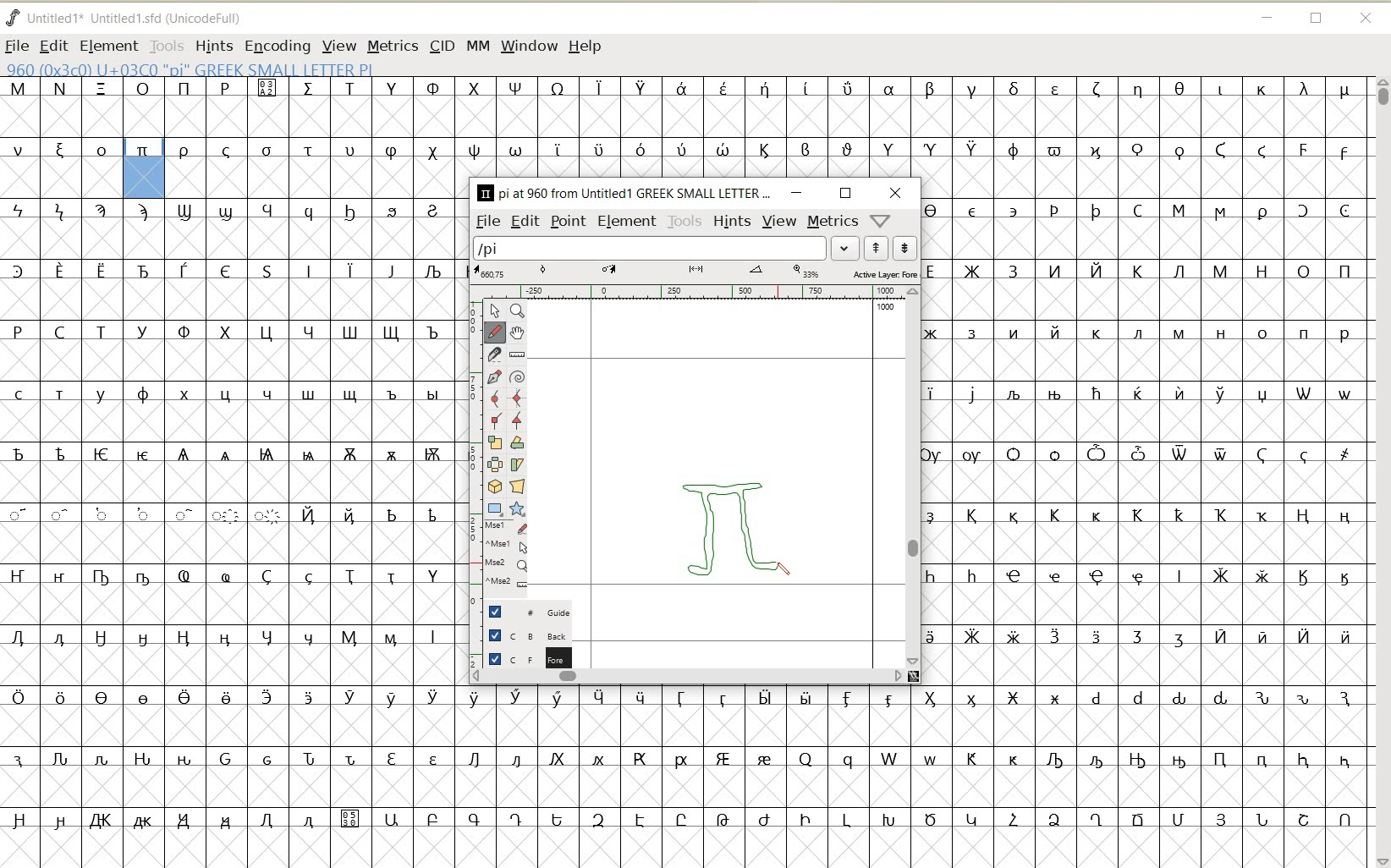 The image size is (1391, 868). I want to click on RESTORE, so click(847, 193).